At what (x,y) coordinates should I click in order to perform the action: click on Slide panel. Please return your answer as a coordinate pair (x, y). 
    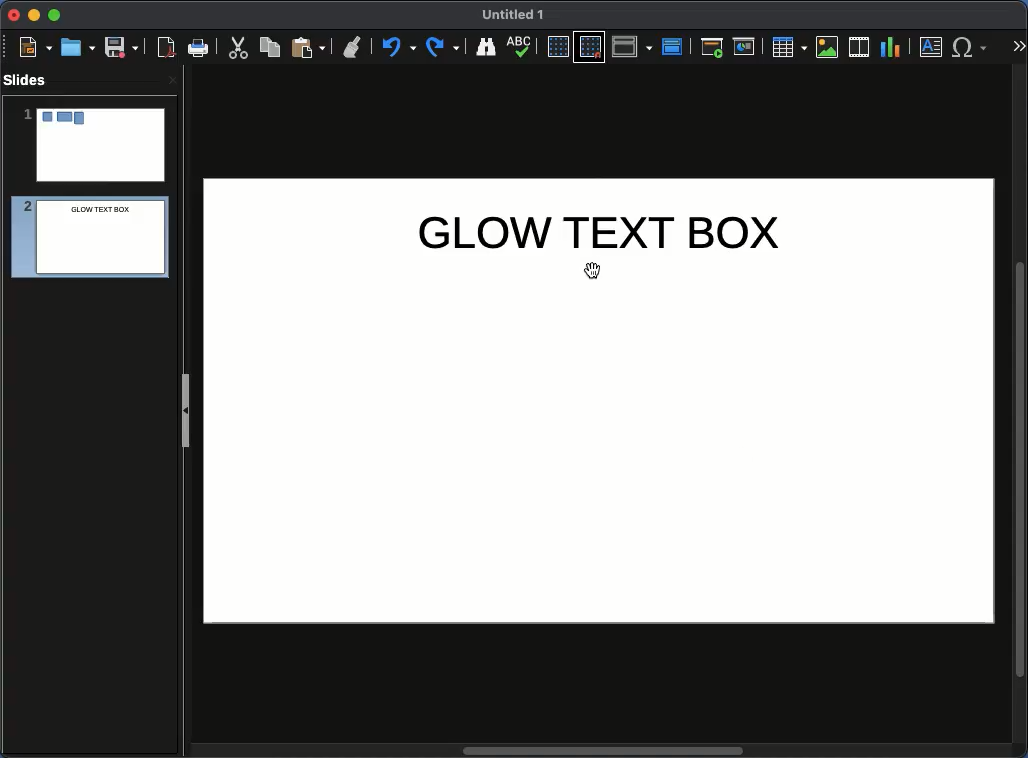
    Looking at the image, I should click on (185, 410).